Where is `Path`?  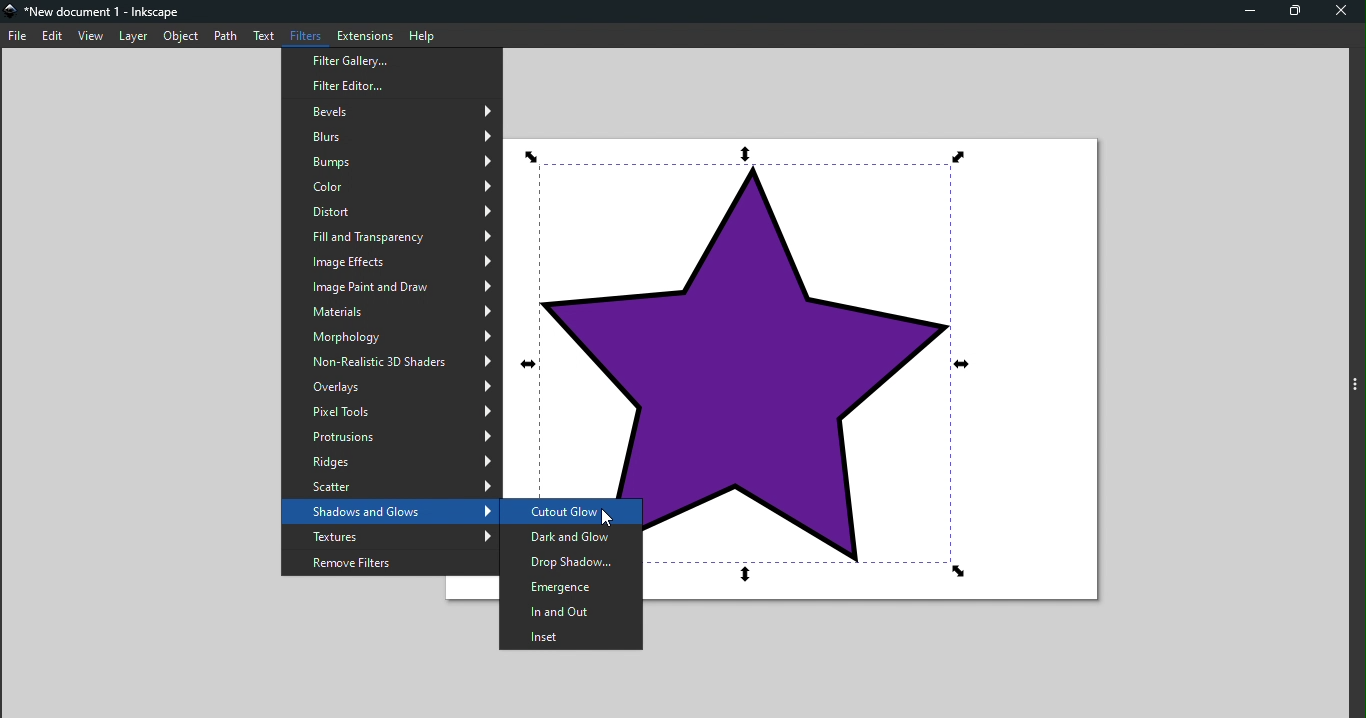
Path is located at coordinates (227, 34).